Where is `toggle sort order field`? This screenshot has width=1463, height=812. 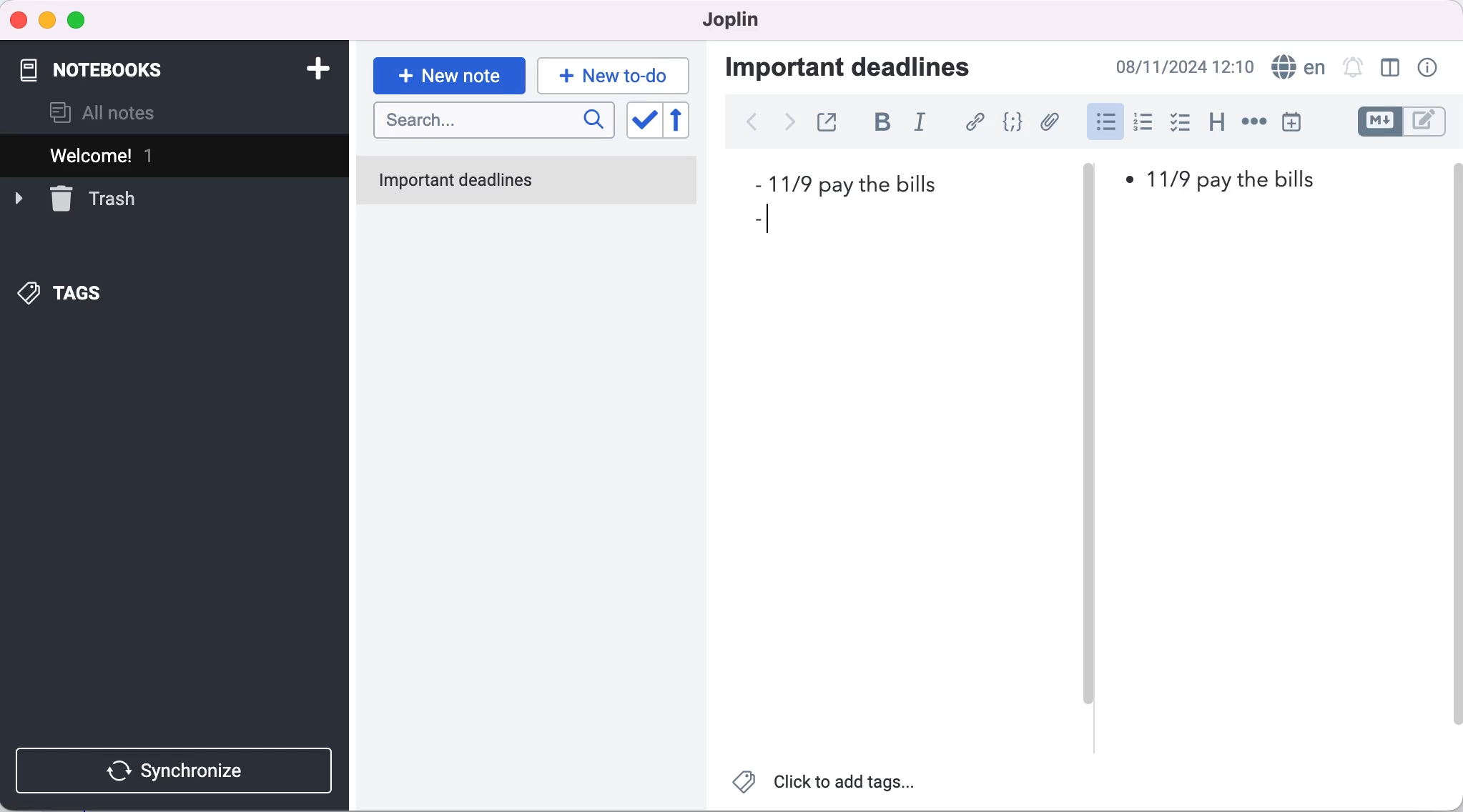 toggle sort order field is located at coordinates (643, 123).